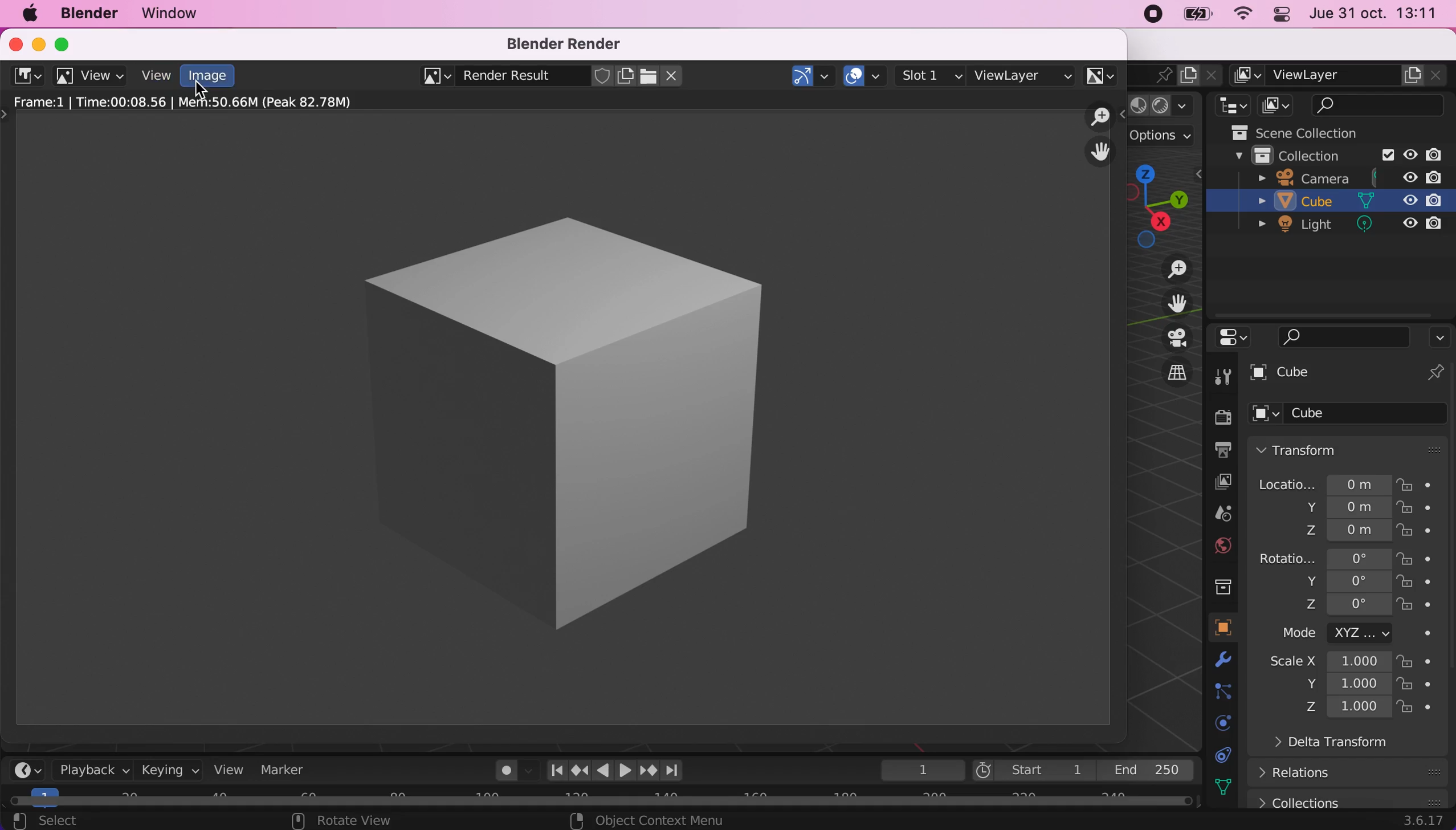 The height and width of the screenshot is (830, 1456). What do you see at coordinates (1220, 451) in the screenshot?
I see `output` at bounding box center [1220, 451].